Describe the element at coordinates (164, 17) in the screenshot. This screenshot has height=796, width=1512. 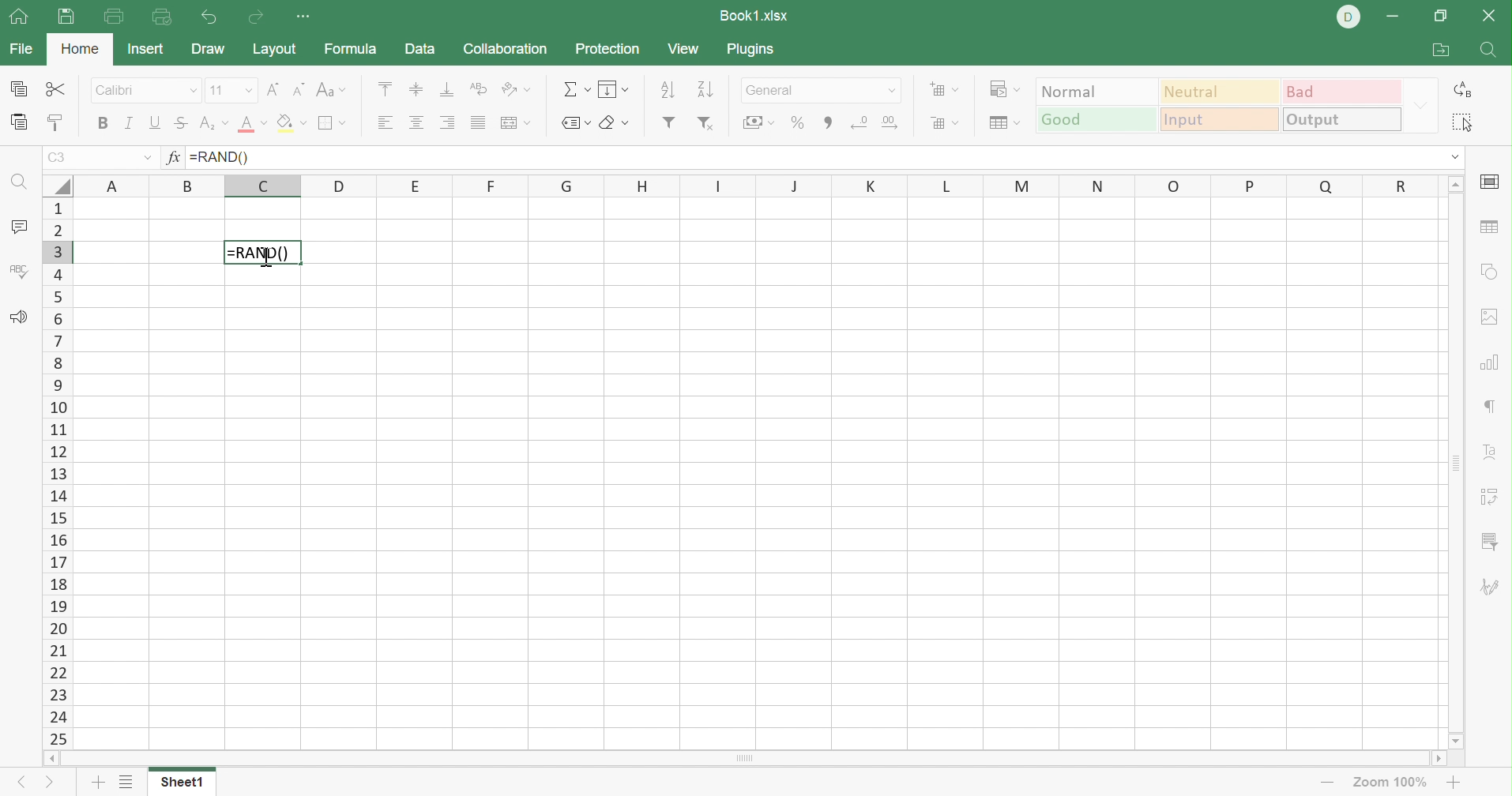
I see `Quick print` at that location.